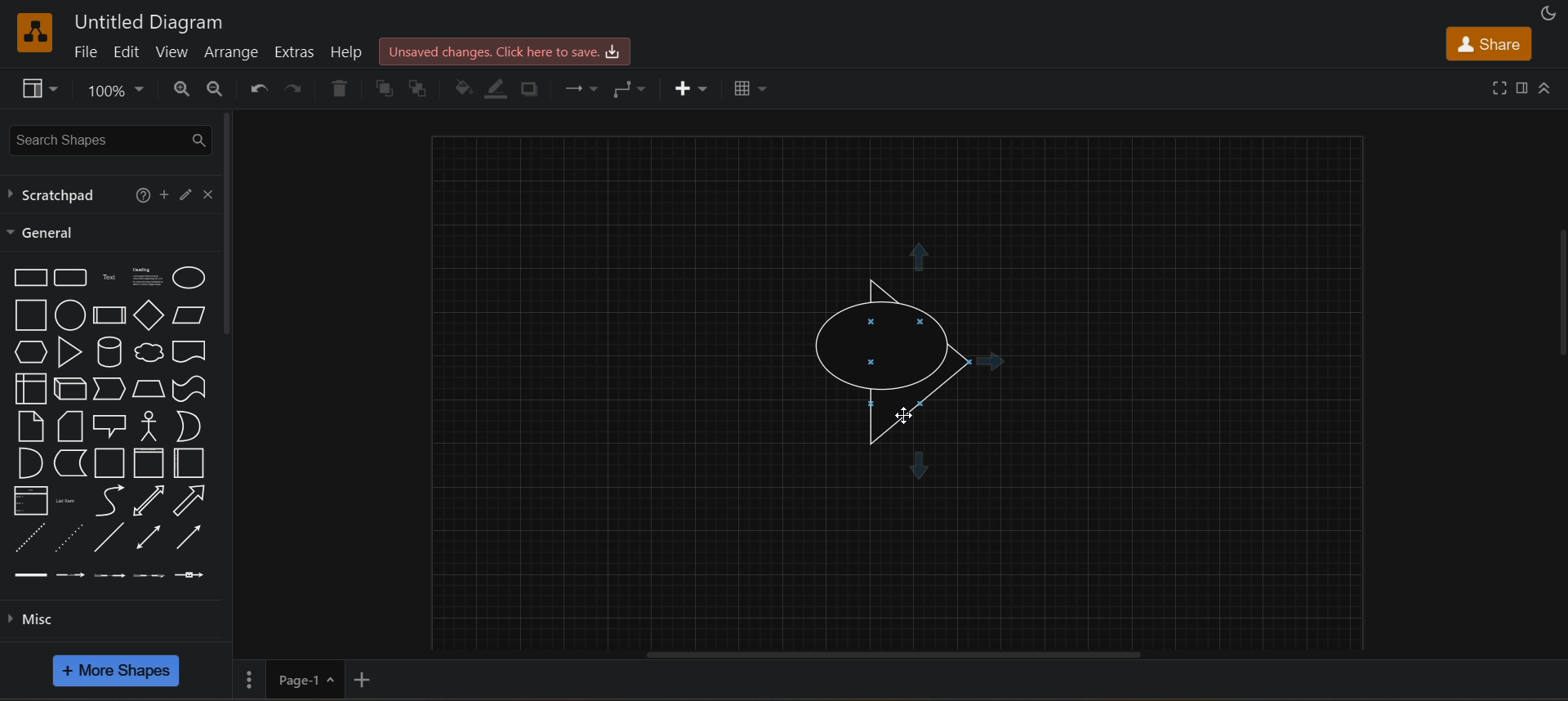 The image size is (1568, 701). I want to click on line, so click(109, 537).